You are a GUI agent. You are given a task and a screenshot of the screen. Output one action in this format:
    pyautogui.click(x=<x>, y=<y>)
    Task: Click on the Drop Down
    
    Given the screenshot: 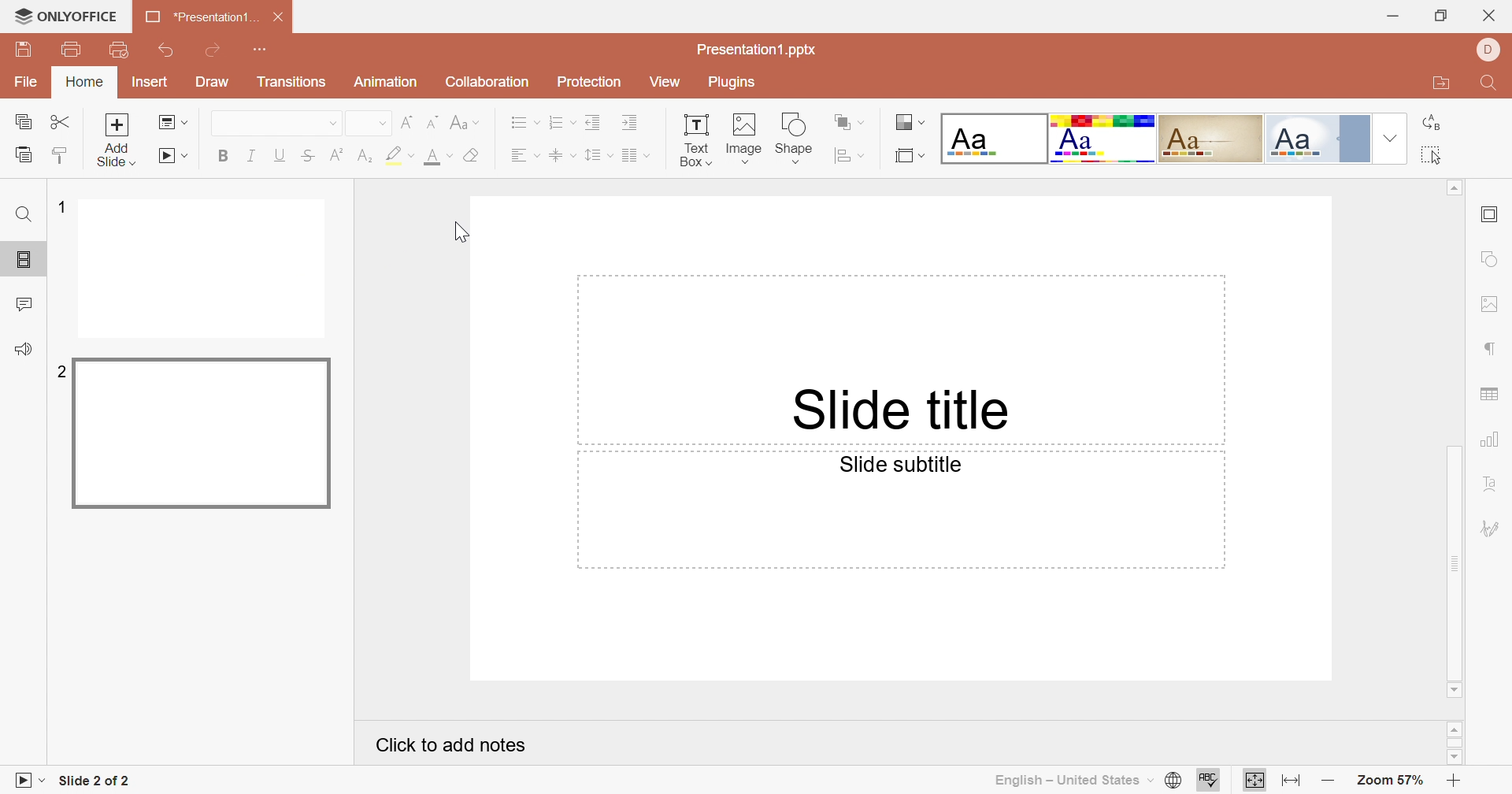 What is the action you would take?
    pyautogui.click(x=1392, y=137)
    